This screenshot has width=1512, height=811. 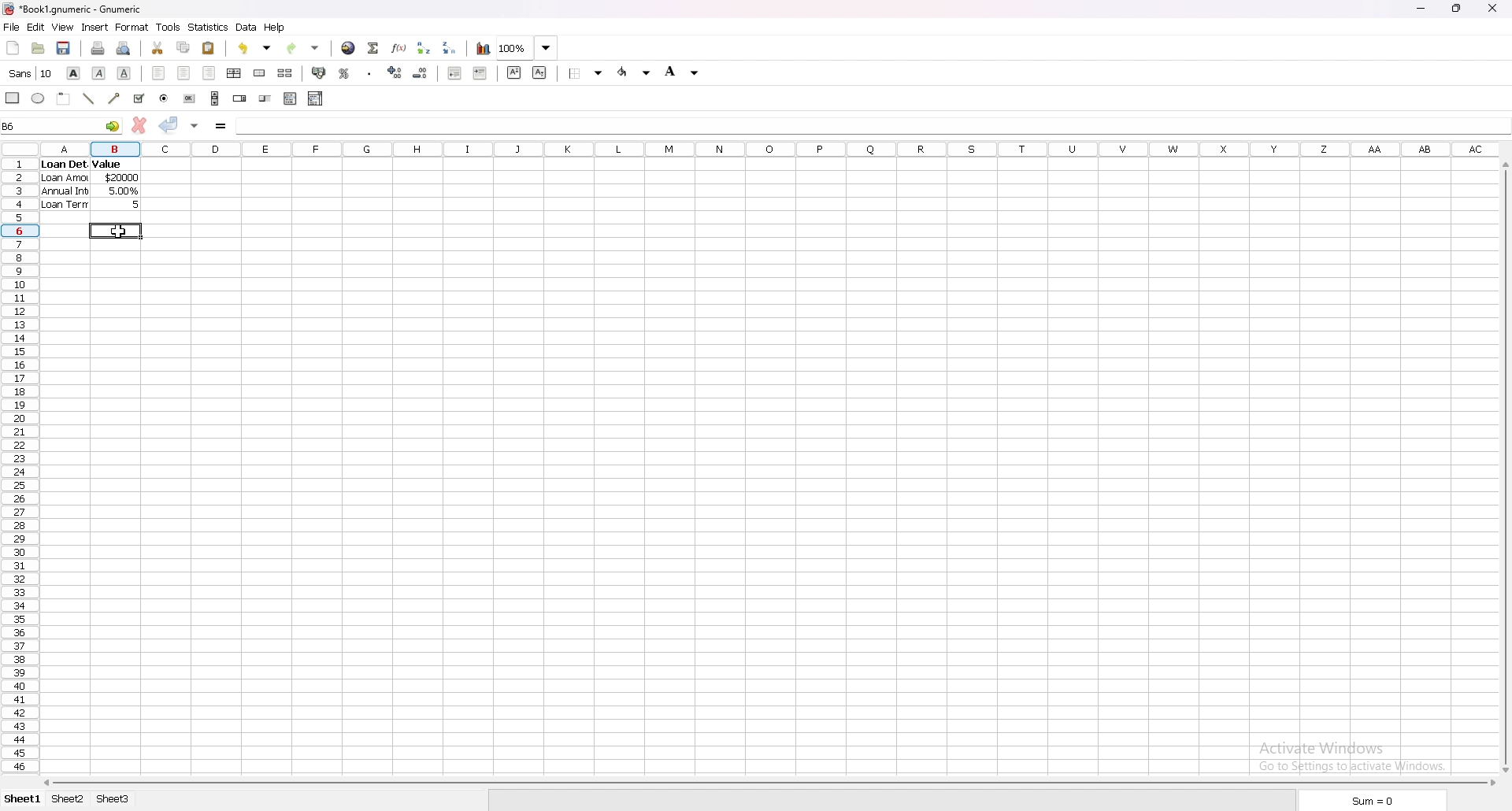 I want to click on tools, so click(x=168, y=28).